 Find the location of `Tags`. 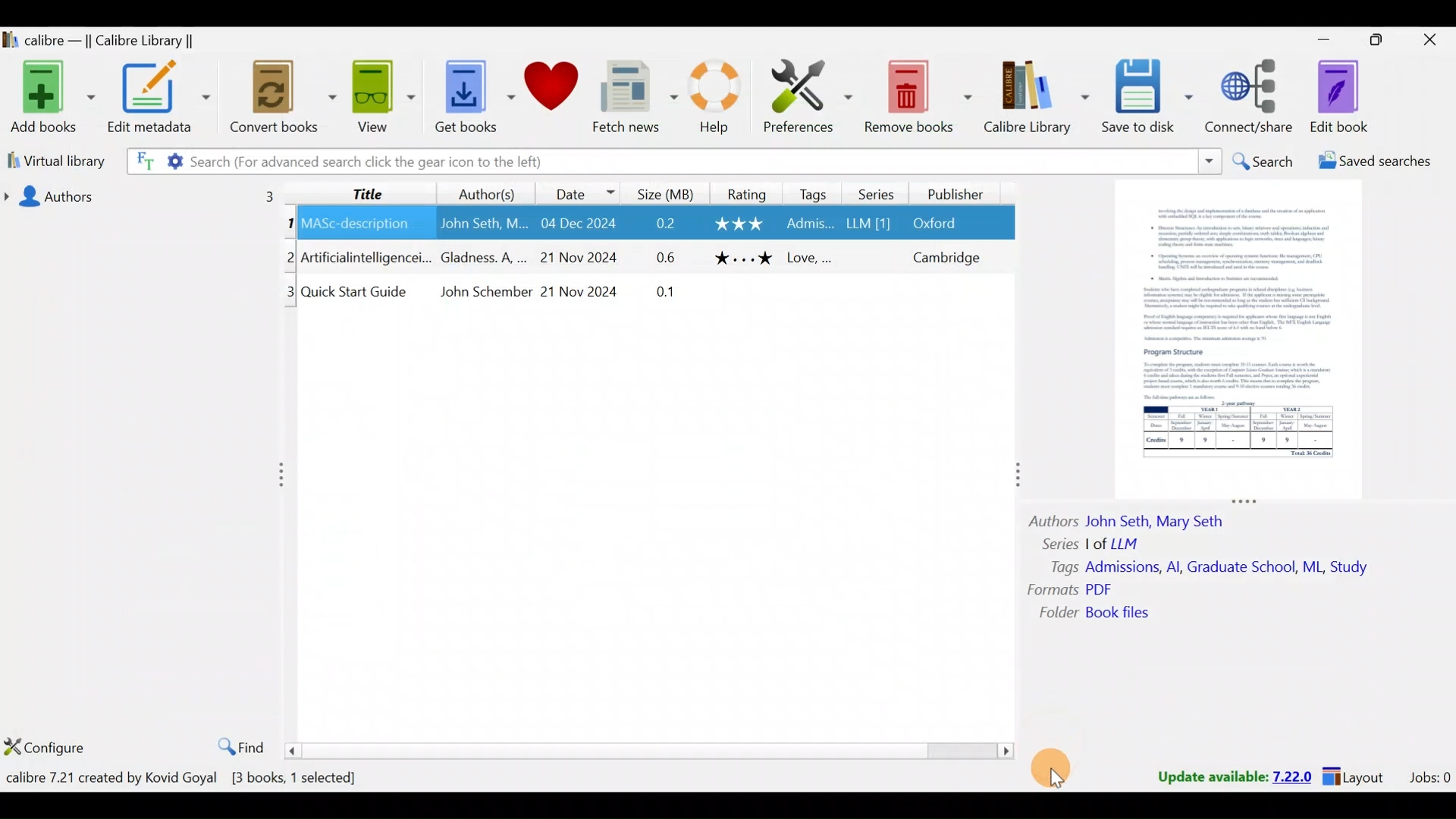

Tags is located at coordinates (812, 193).